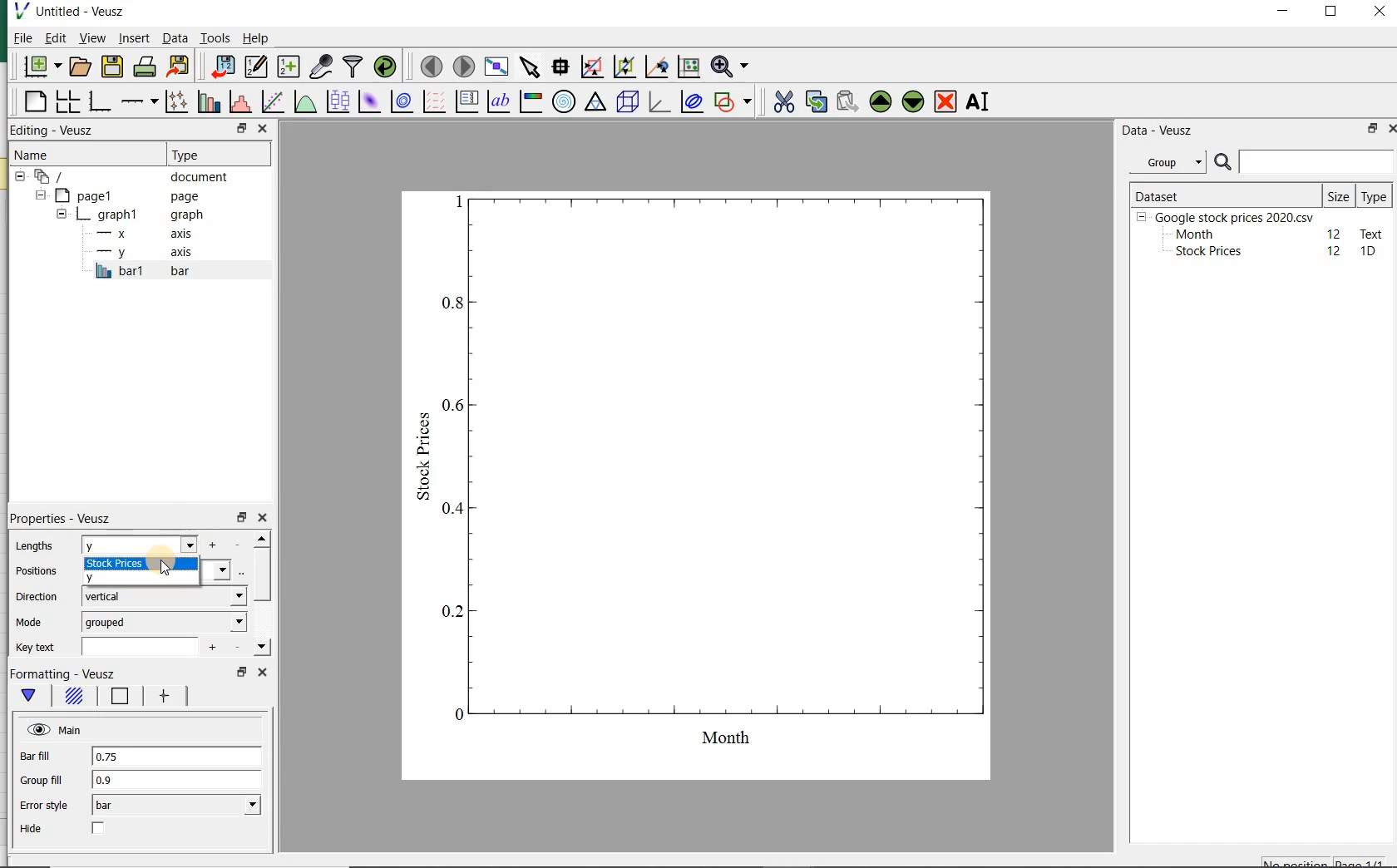  I want to click on vertical, so click(164, 597).